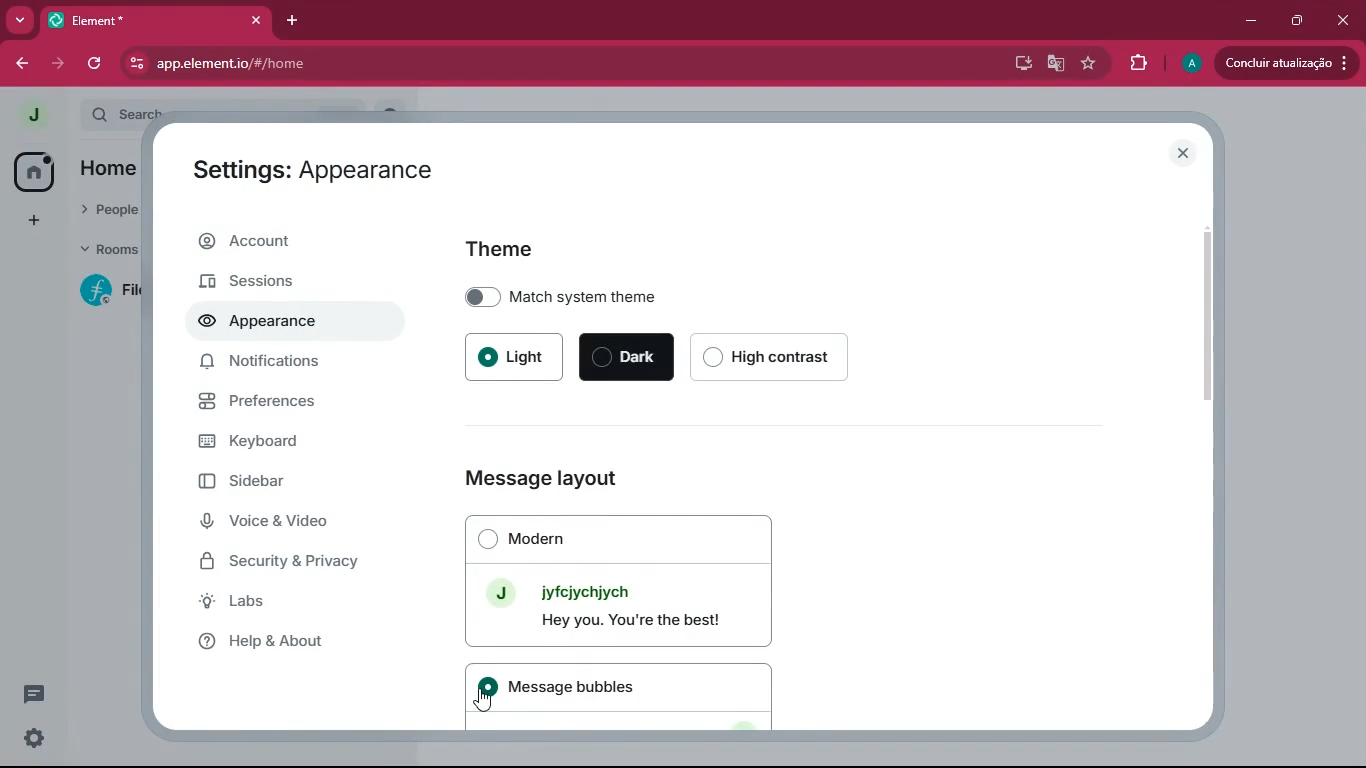 The height and width of the screenshot is (768, 1366). I want to click on maximize, so click(1297, 22).